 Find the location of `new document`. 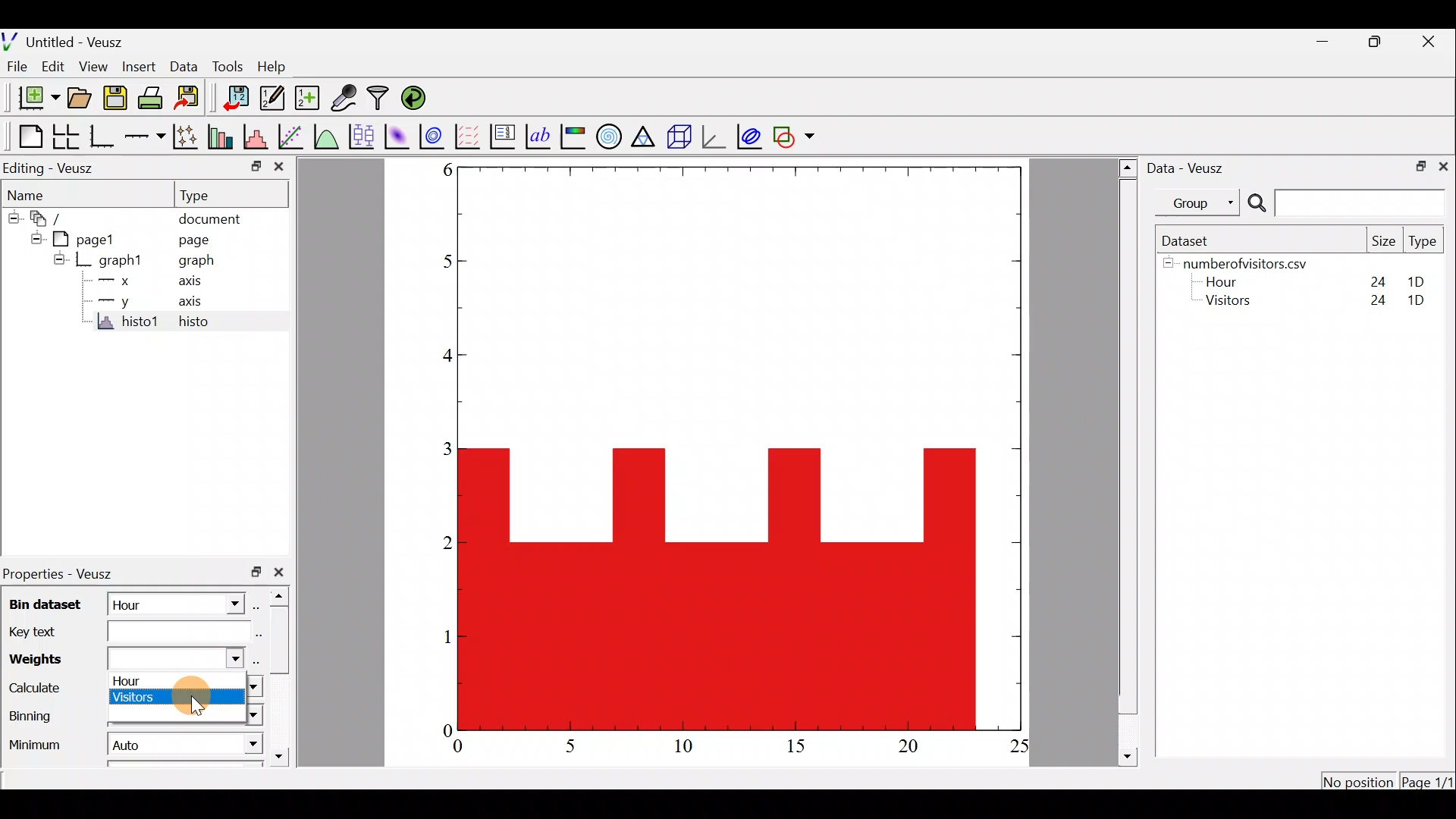

new document is located at coordinates (35, 99).